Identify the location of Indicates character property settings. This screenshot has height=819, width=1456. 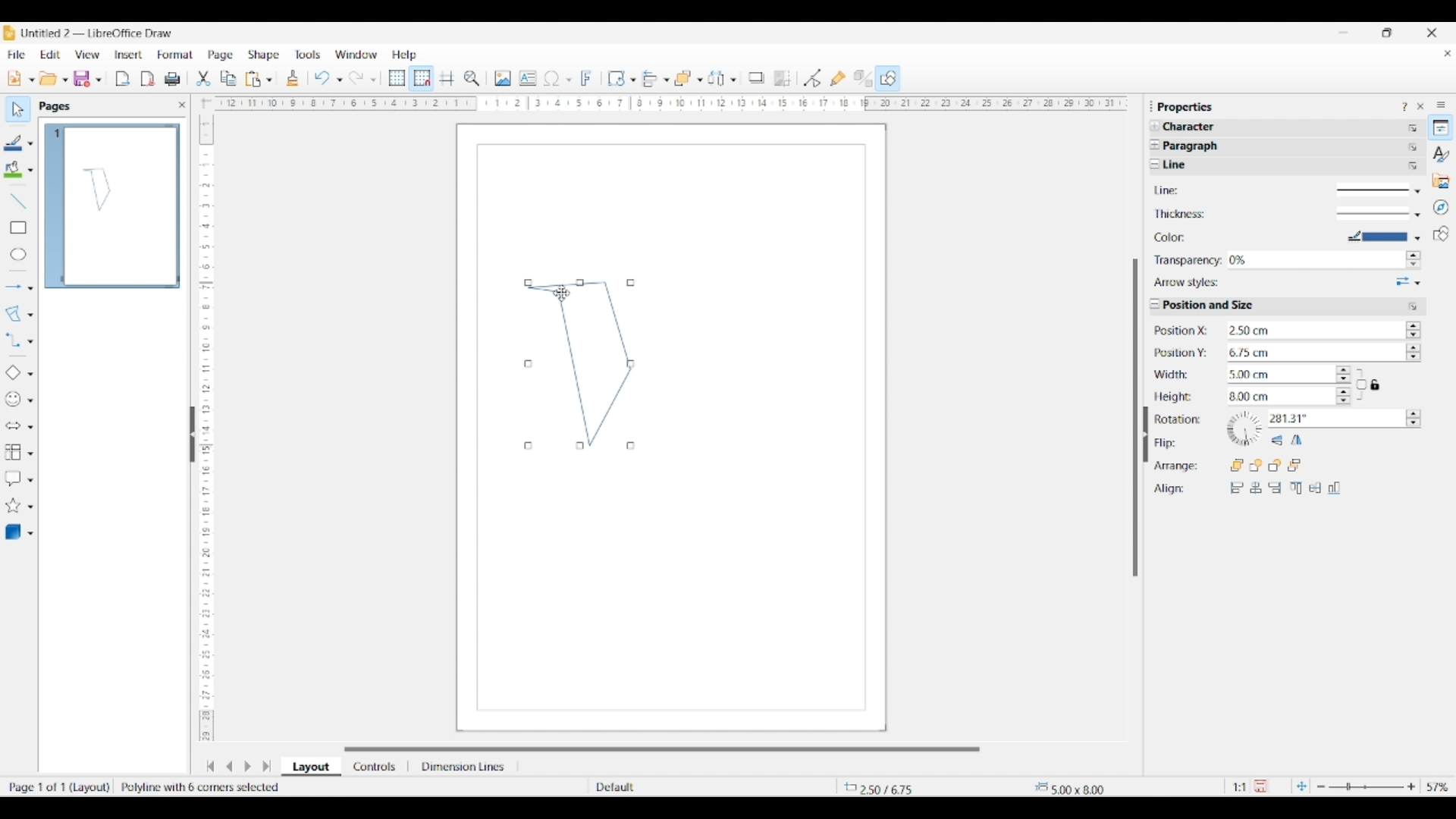
(1197, 127).